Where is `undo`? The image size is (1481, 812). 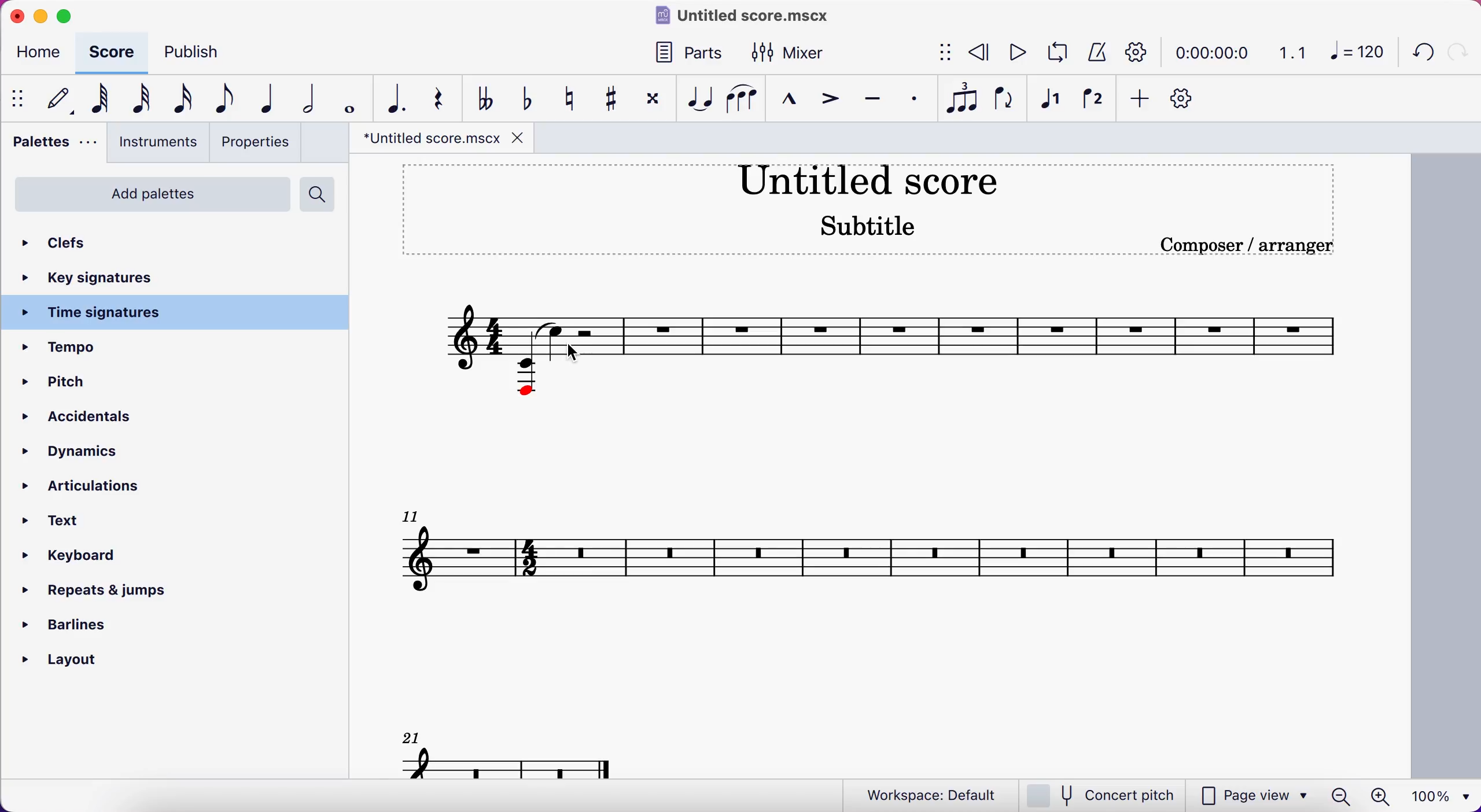
undo is located at coordinates (1417, 55).